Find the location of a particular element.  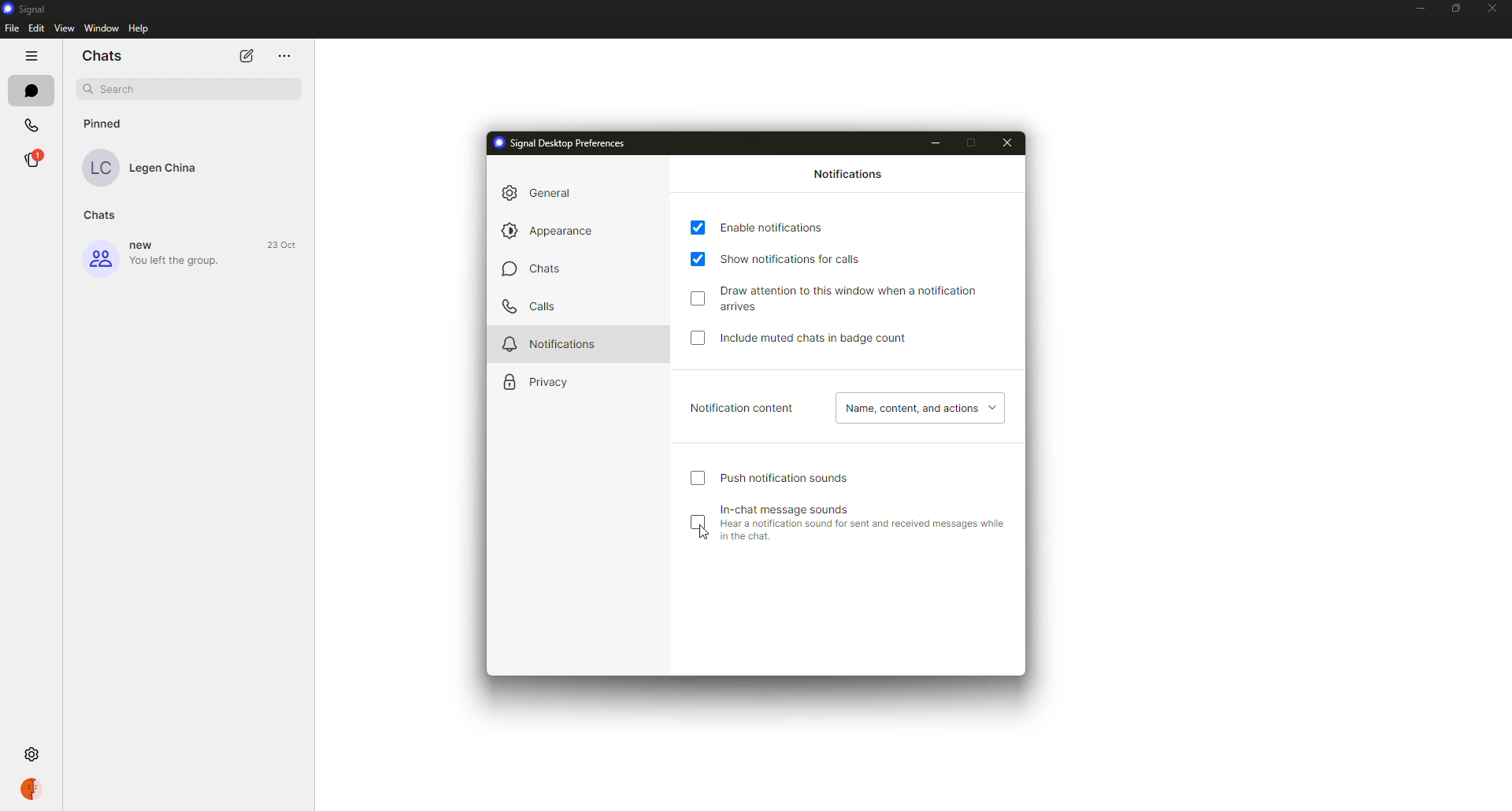

You left the group. is located at coordinates (176, 261).